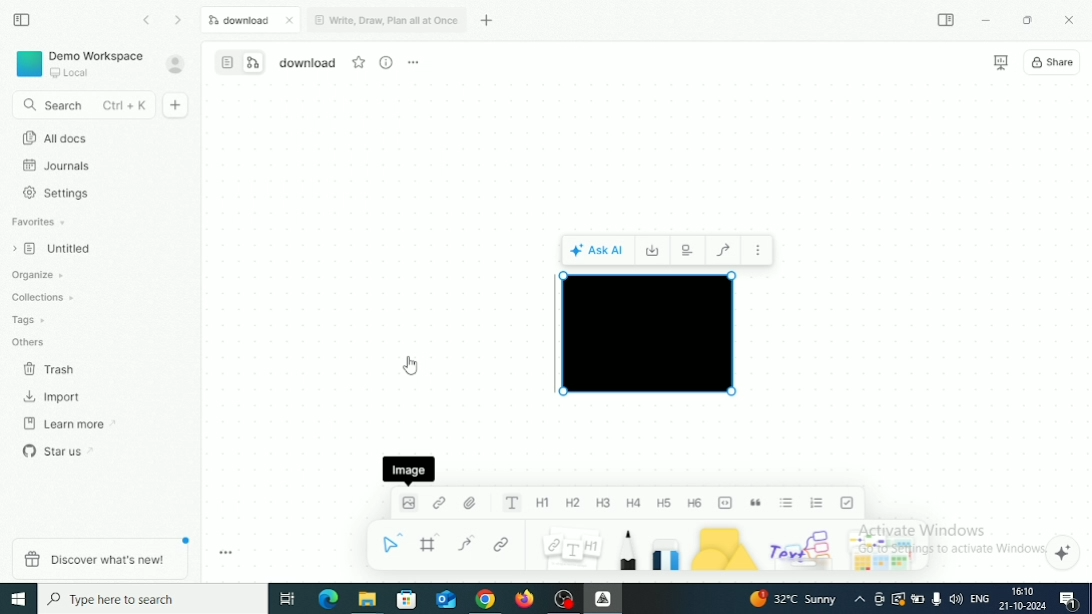 The height and width of the screenshot is (614, 1092). Describe the element at coordinates (79, 65) in the screenshot. I see `Demo Workspace` at that location.